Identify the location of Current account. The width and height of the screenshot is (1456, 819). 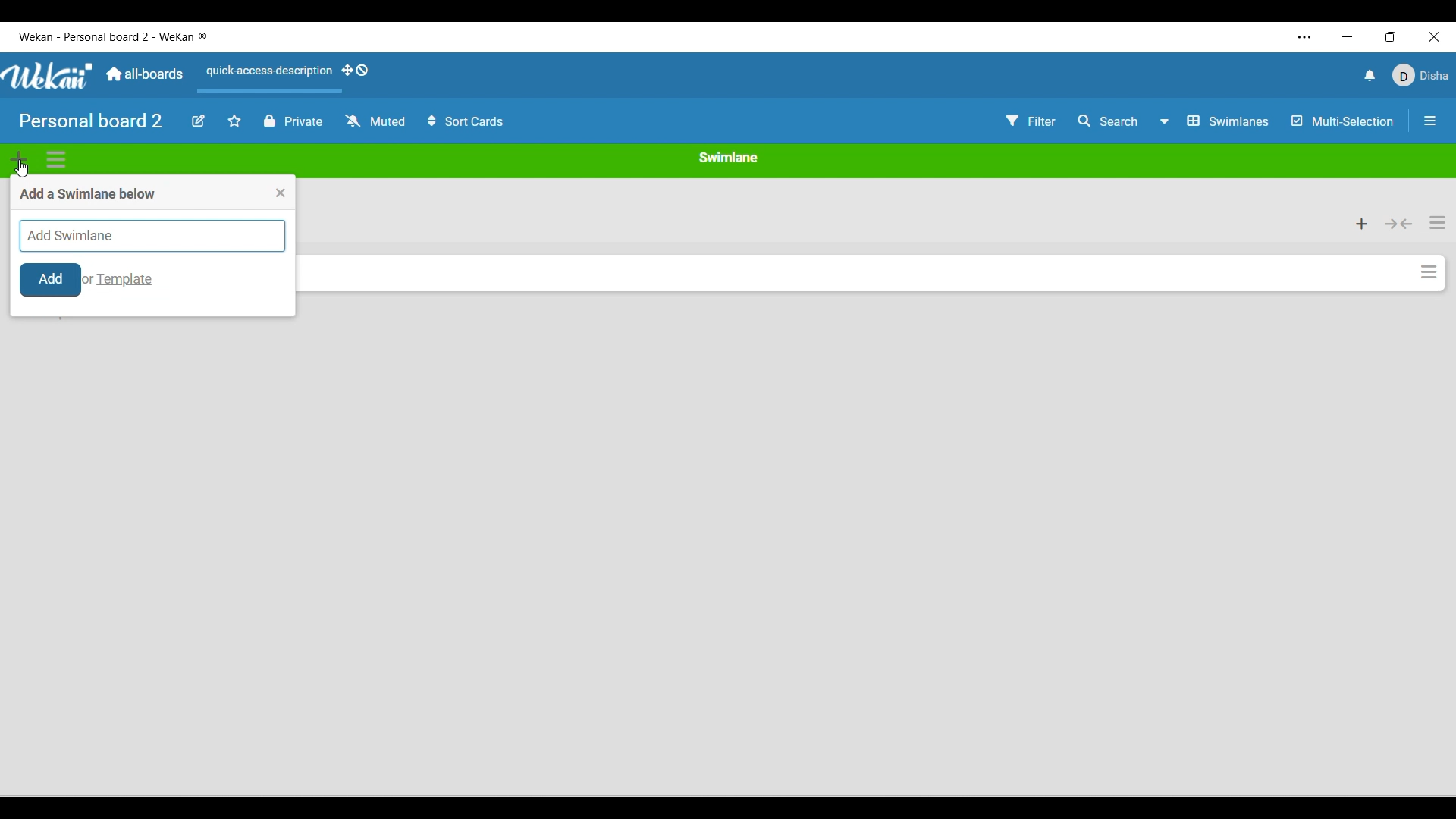
(1421, 75).